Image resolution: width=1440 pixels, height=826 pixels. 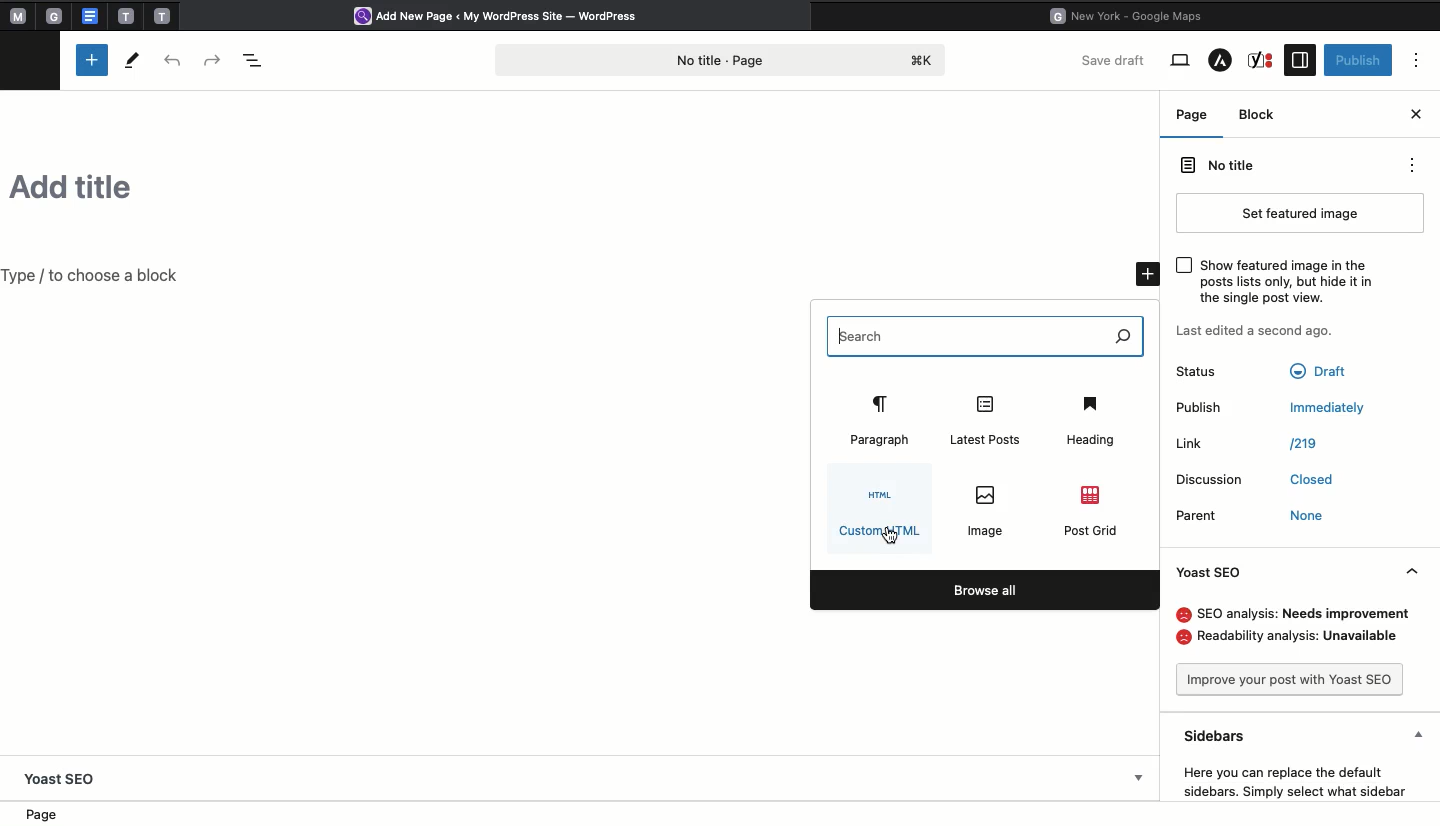 What do you see at coordinates (126, 16) in the screenshot?
I see `tab` at bounding box center [126, 16].